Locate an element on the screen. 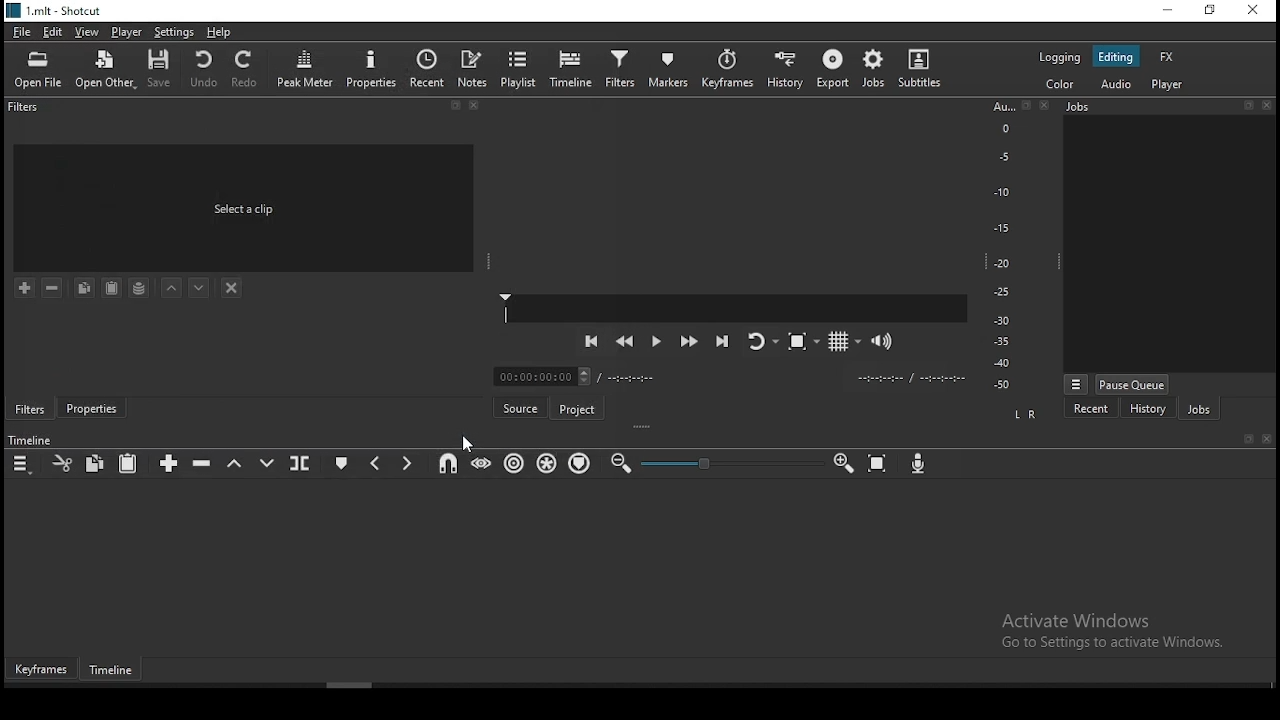  redo is located at coordinates (249, 73).